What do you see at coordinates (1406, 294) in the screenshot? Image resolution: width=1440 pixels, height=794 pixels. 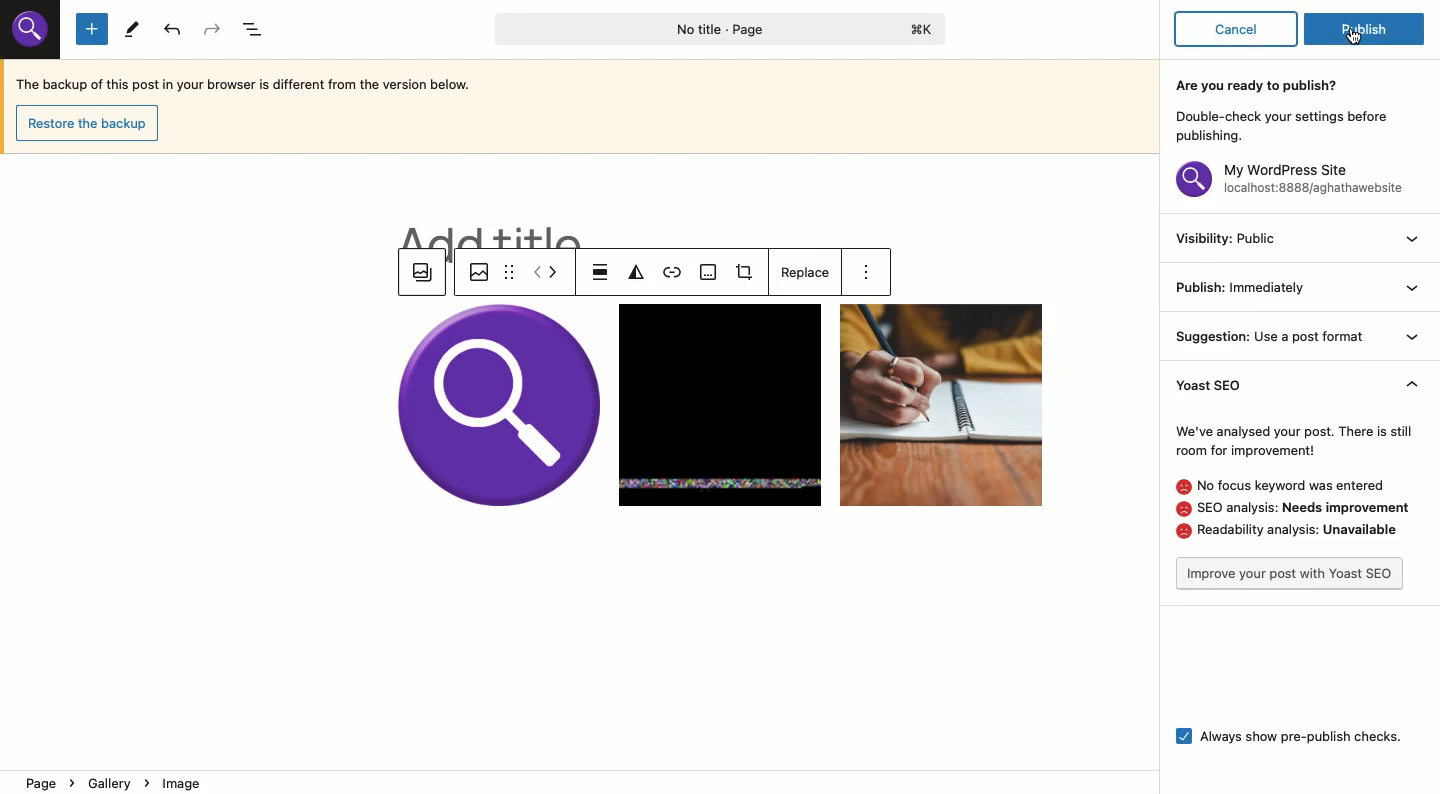 I see `Show` at bounding box center [1406, 294].